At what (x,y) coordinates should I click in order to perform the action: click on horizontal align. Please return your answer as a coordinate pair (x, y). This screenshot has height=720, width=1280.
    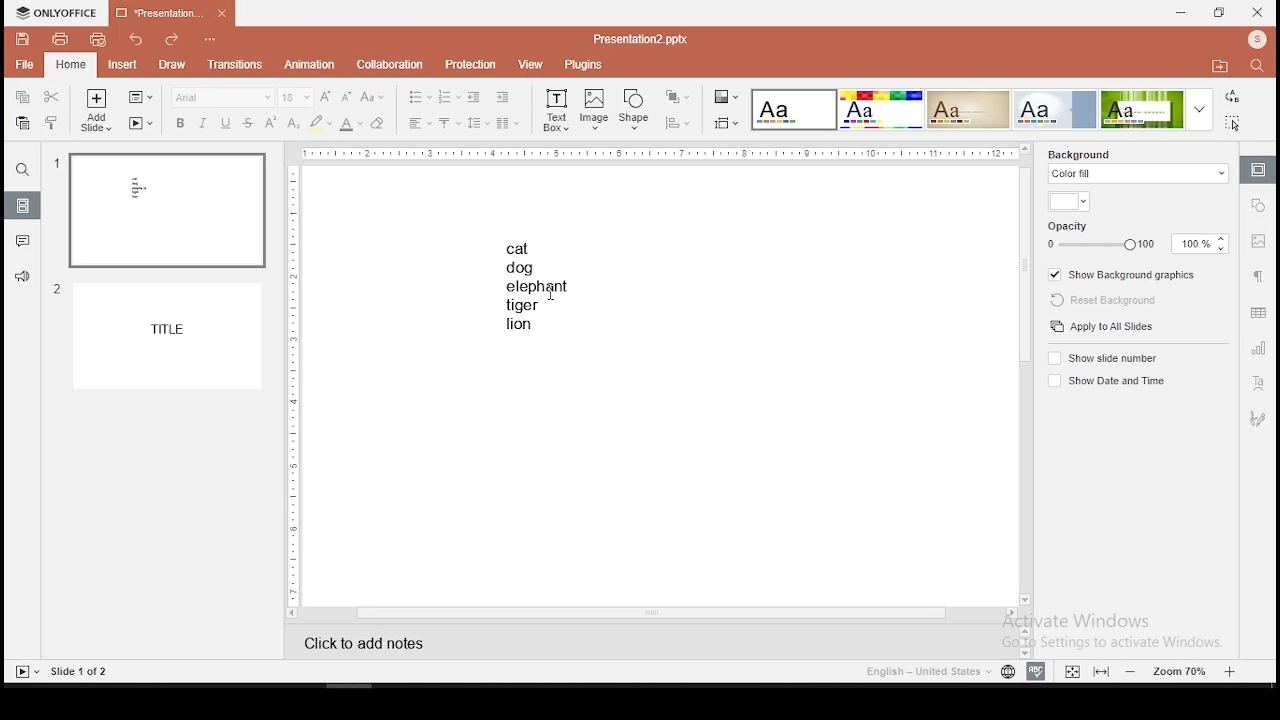
    Looking at the image, I should click on (421, 123).